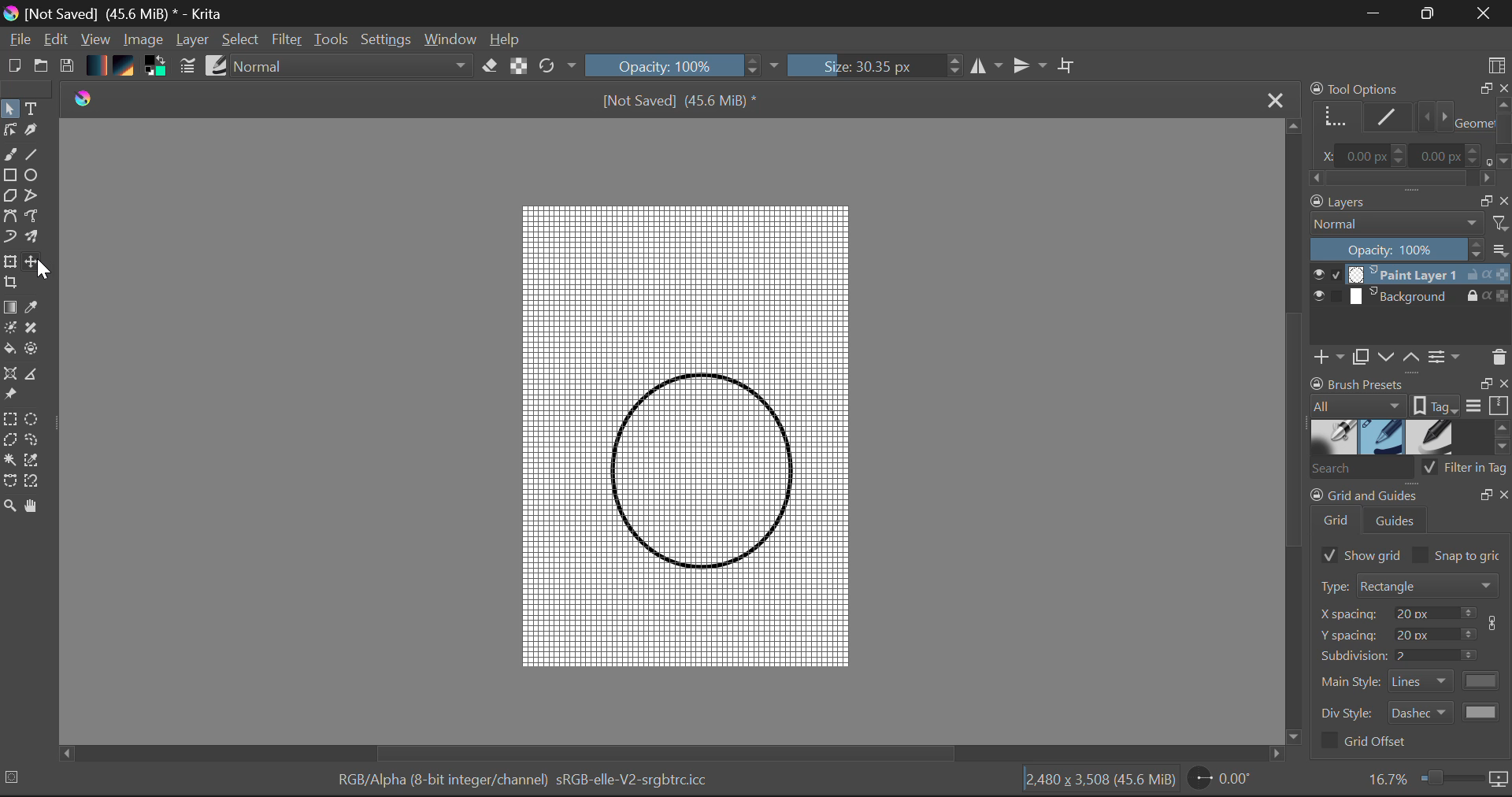 The width and height of the screenshot is (1512, 797). I want to click on Elipses, so click(35, 175).